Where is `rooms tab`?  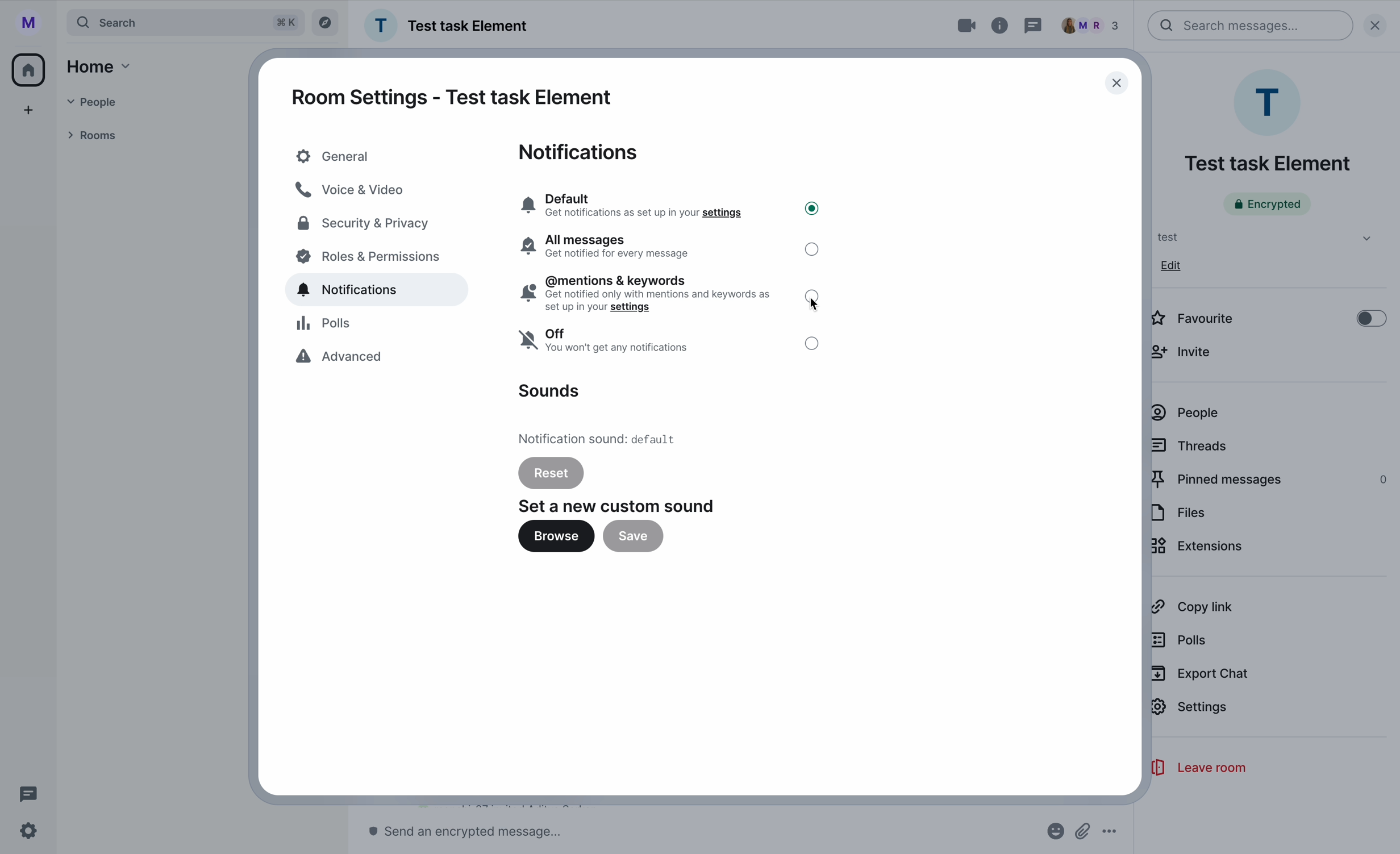
rooms tab is located at coordinates (97, 134).